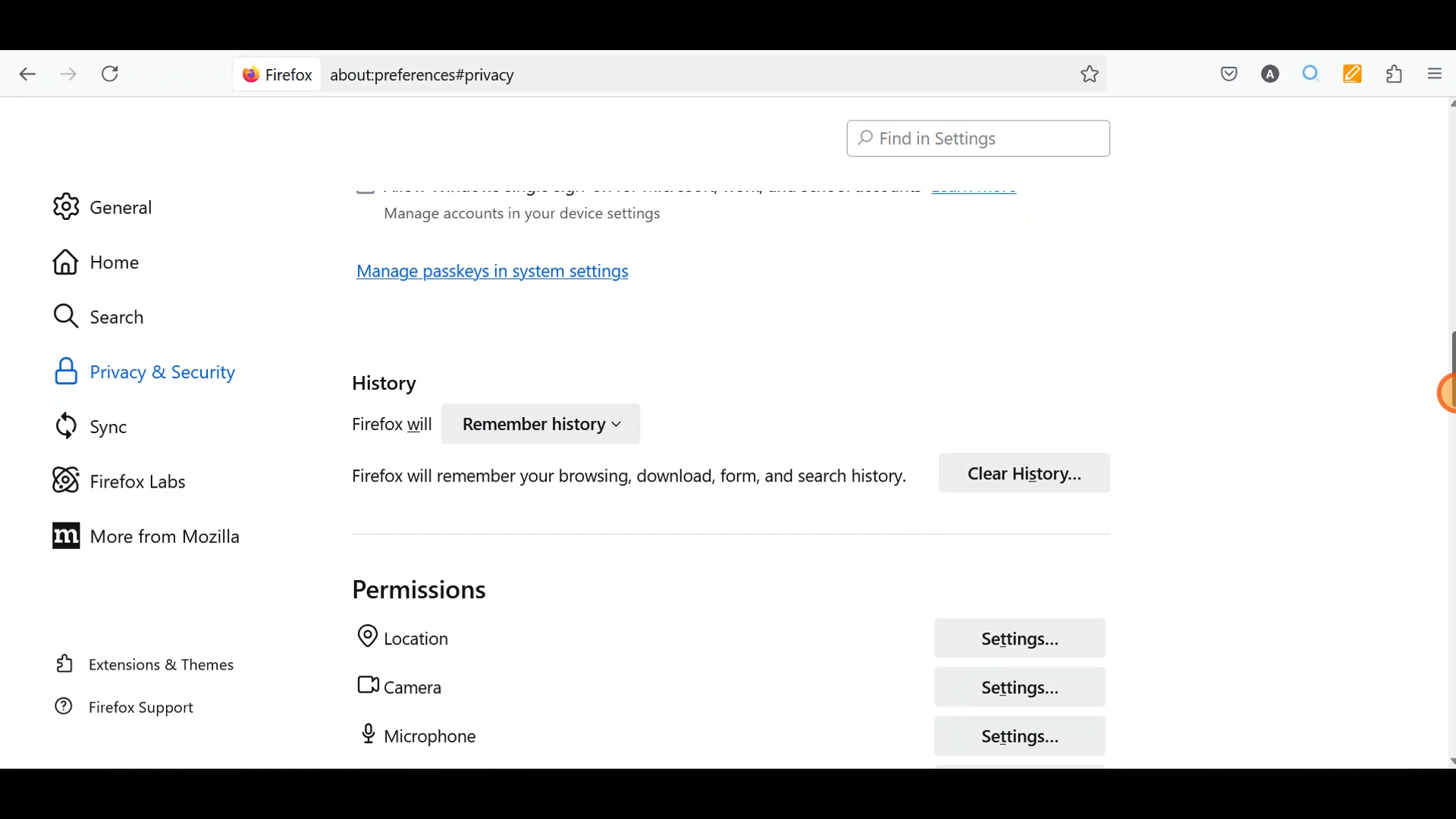 Image resolution: width=1456 pixels, height=819 pixels. What do you see at coordinates (139, 534) in the screenshot?
I see `More from Mozilla` at bounding box center [139, 534].